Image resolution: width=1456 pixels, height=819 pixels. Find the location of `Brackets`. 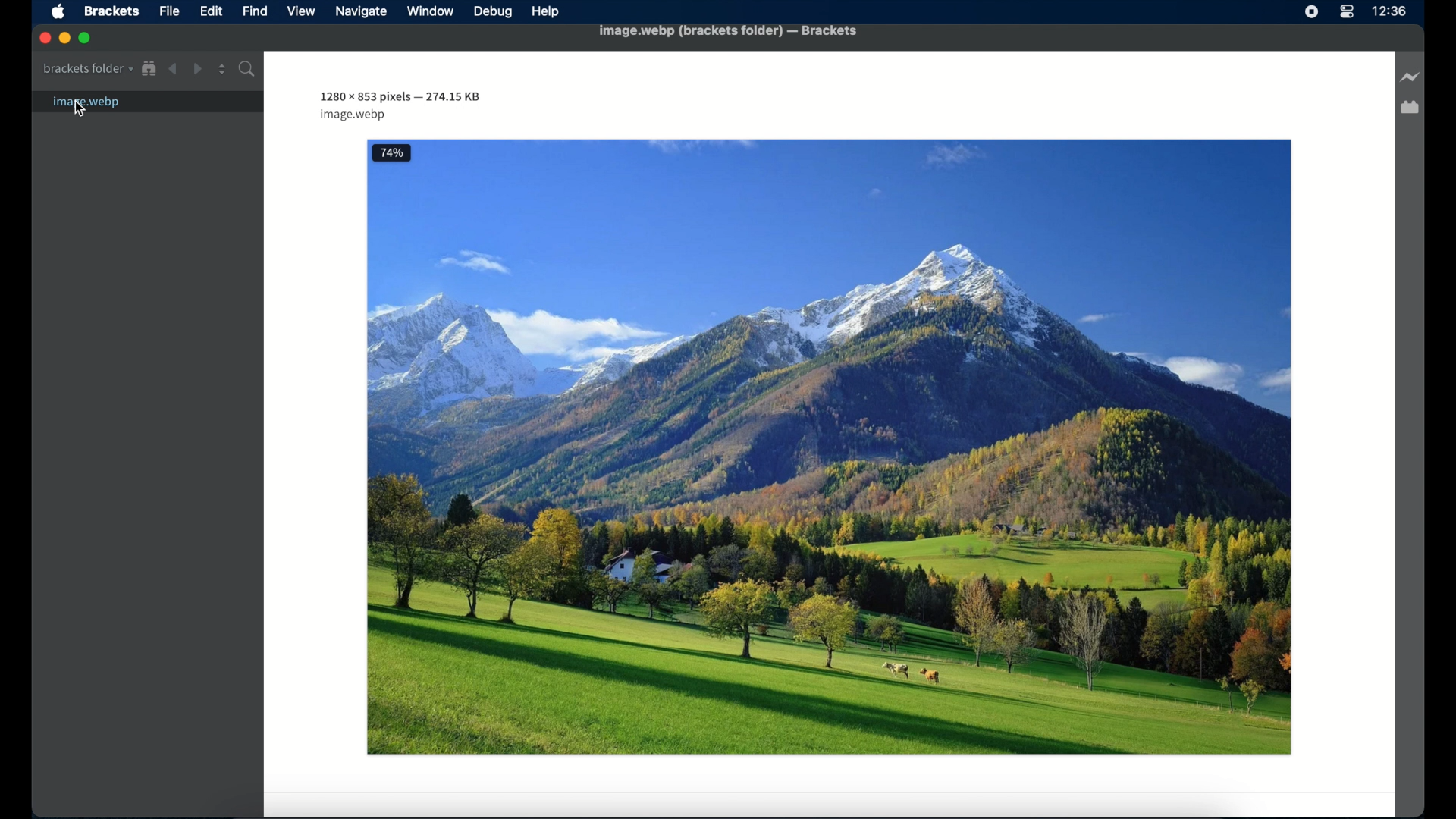

Brackets is located at coordinates (113, 11).